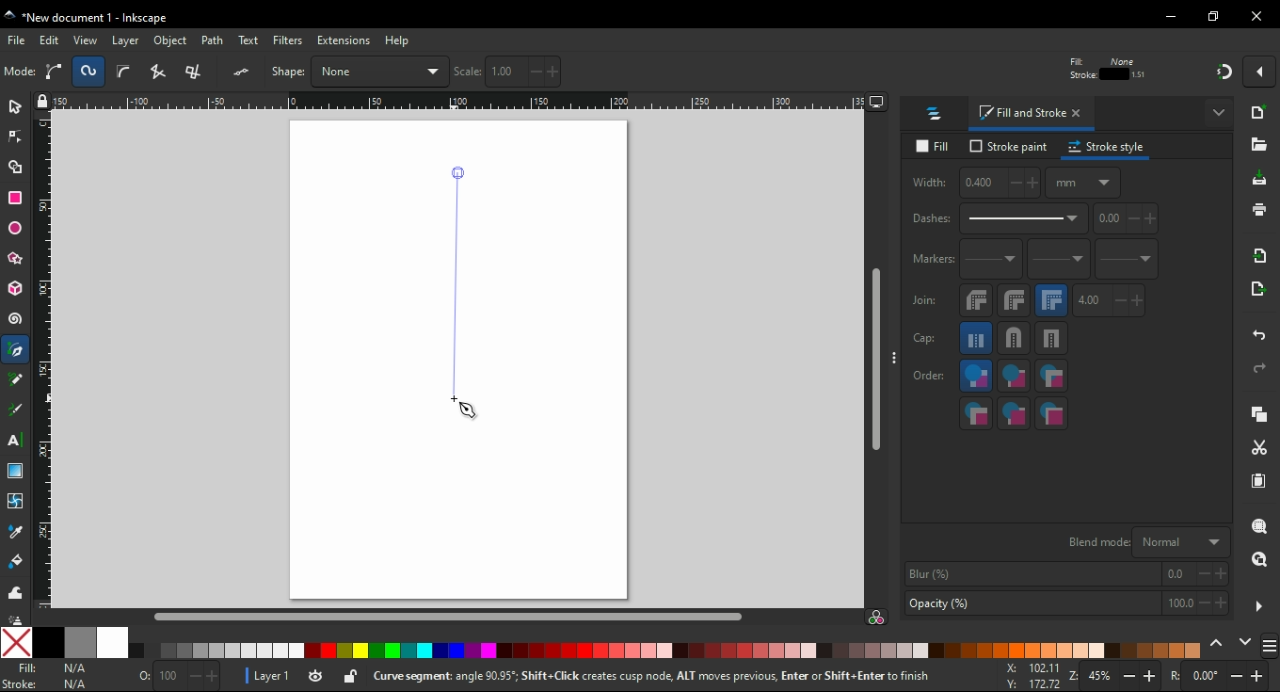  Describe the element at coordinates (1027, 650) in the screenshot. I see `color tone pallete` at that location.